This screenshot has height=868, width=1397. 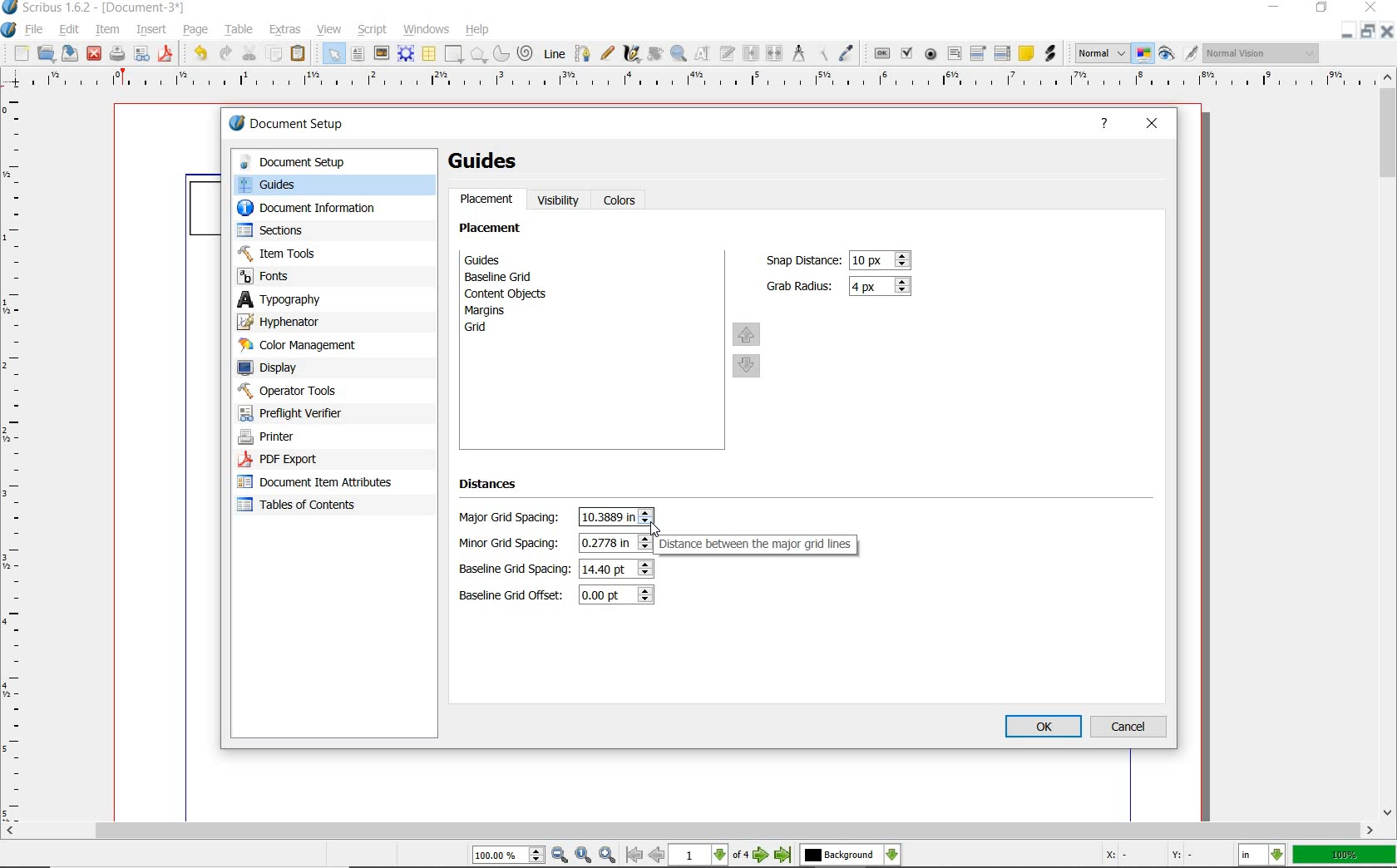 I want to click on edit, so click(x=68, y=30).